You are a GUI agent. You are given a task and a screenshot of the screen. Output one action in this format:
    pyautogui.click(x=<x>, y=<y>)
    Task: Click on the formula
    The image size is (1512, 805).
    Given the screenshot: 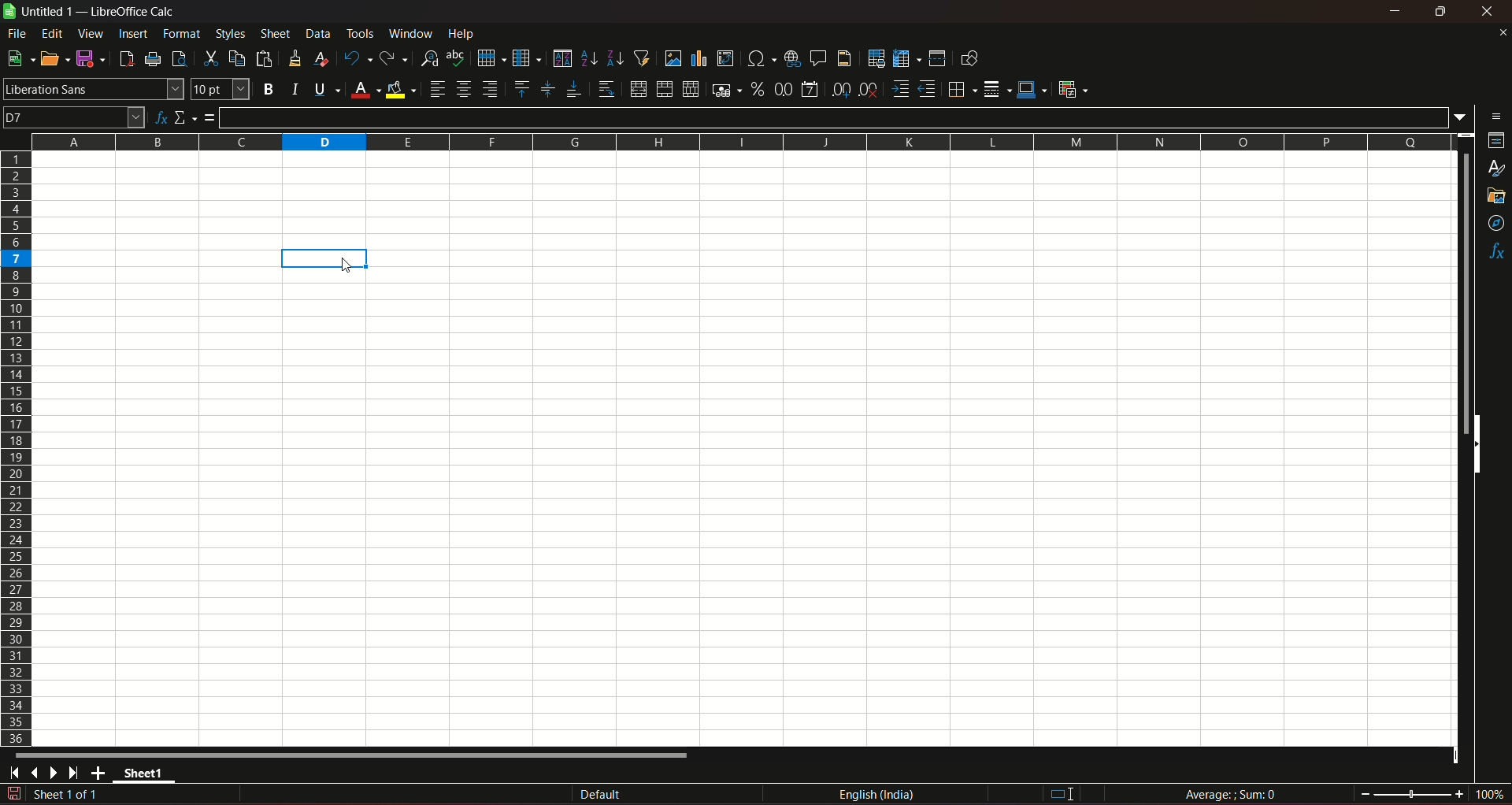 What is the action you would take?
    pyautogui.click(x=1233, y=794)
    